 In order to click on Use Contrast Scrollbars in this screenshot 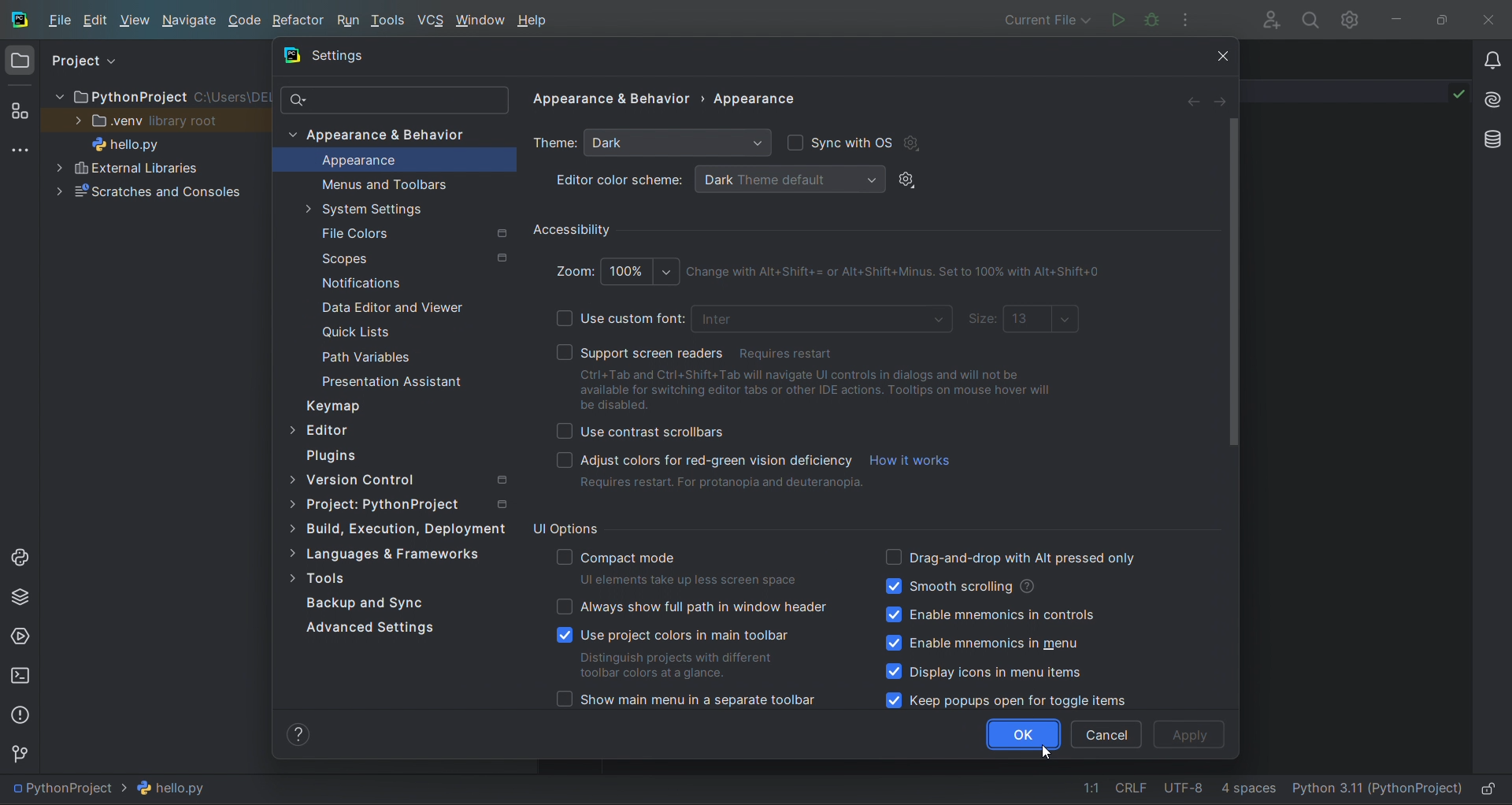, I will do `click(722, 431)`.